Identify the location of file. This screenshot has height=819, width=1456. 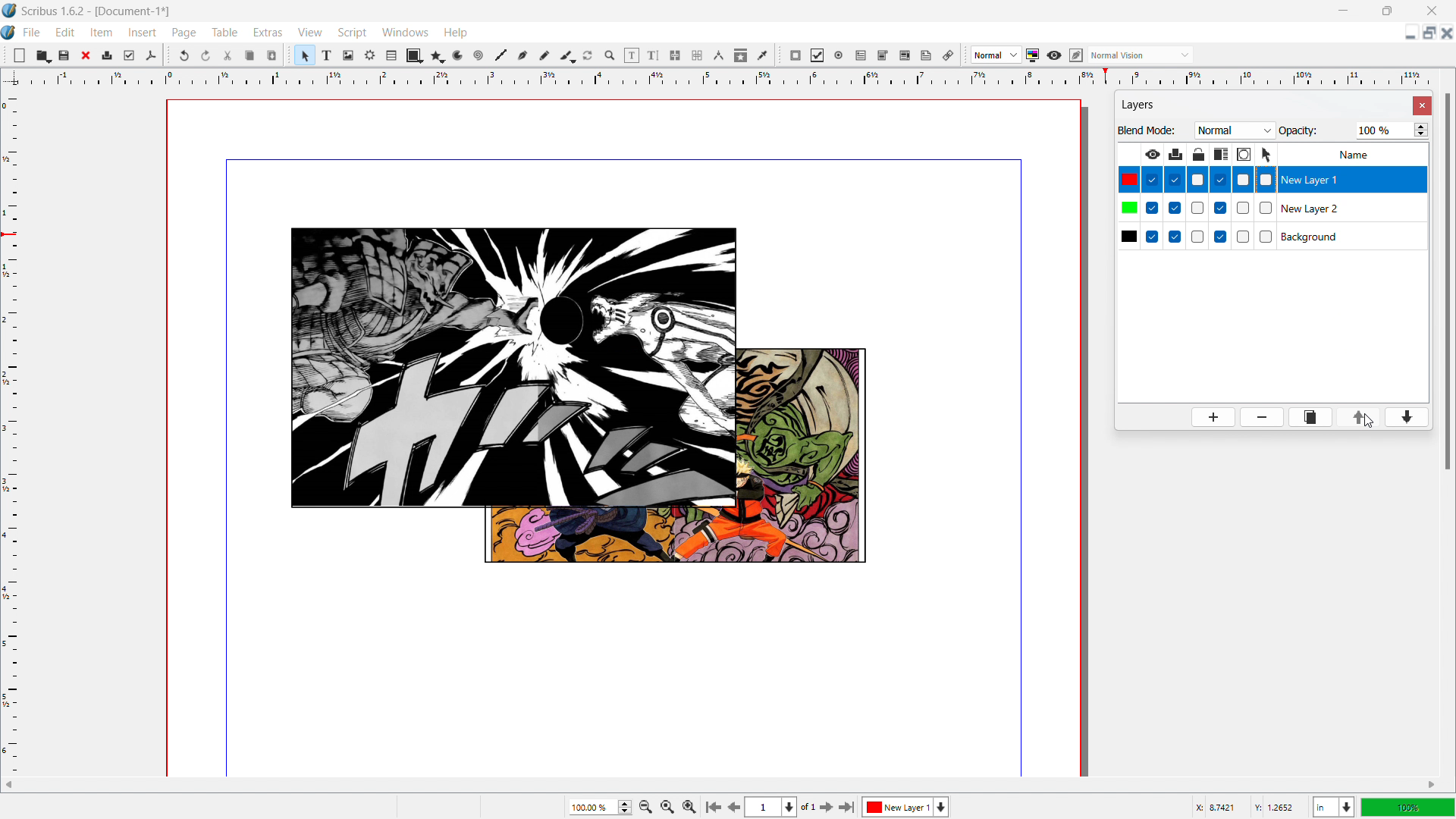
(33, 32).